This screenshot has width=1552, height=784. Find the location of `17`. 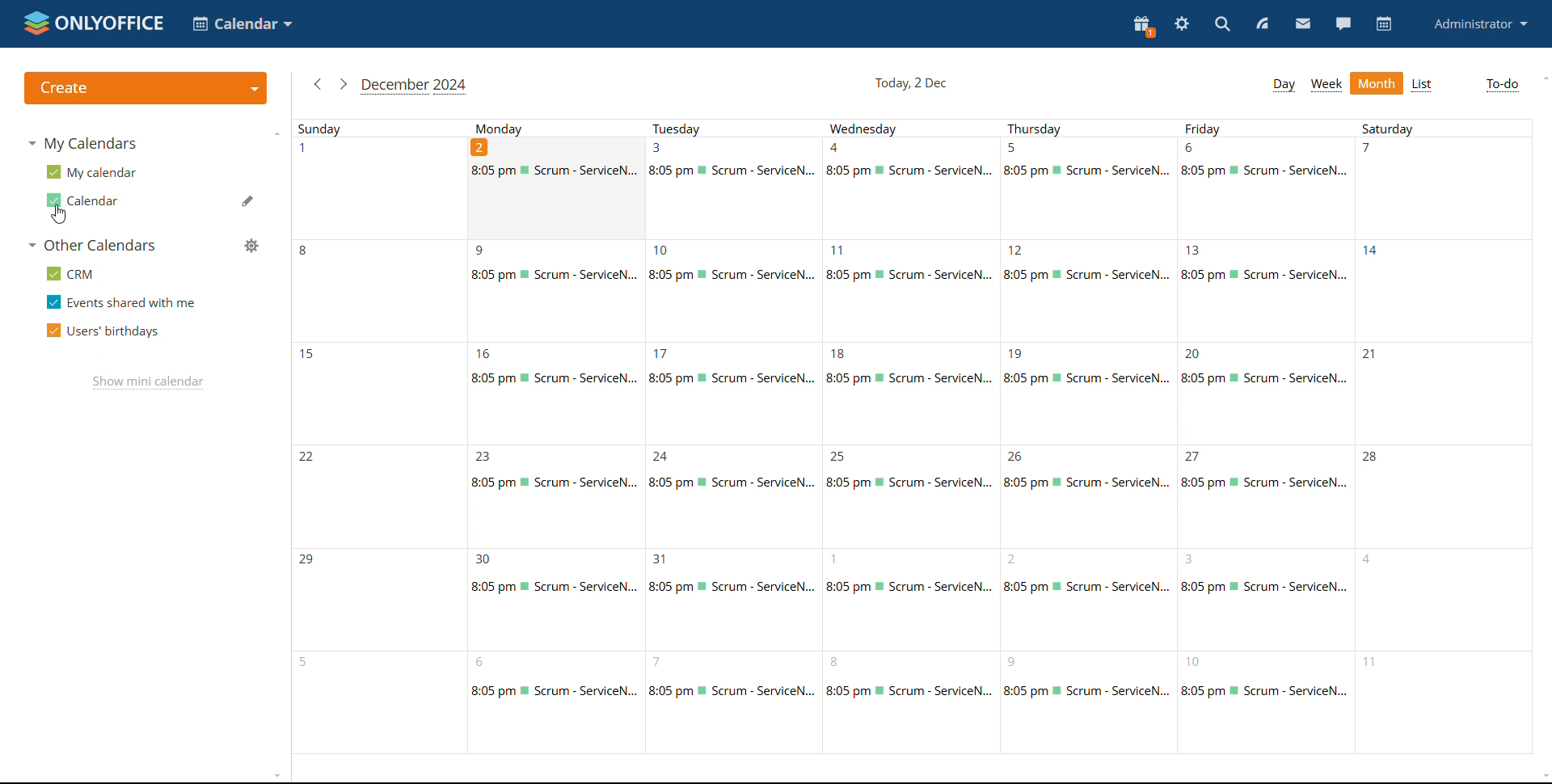

17 is located at coordinates (730, 394).